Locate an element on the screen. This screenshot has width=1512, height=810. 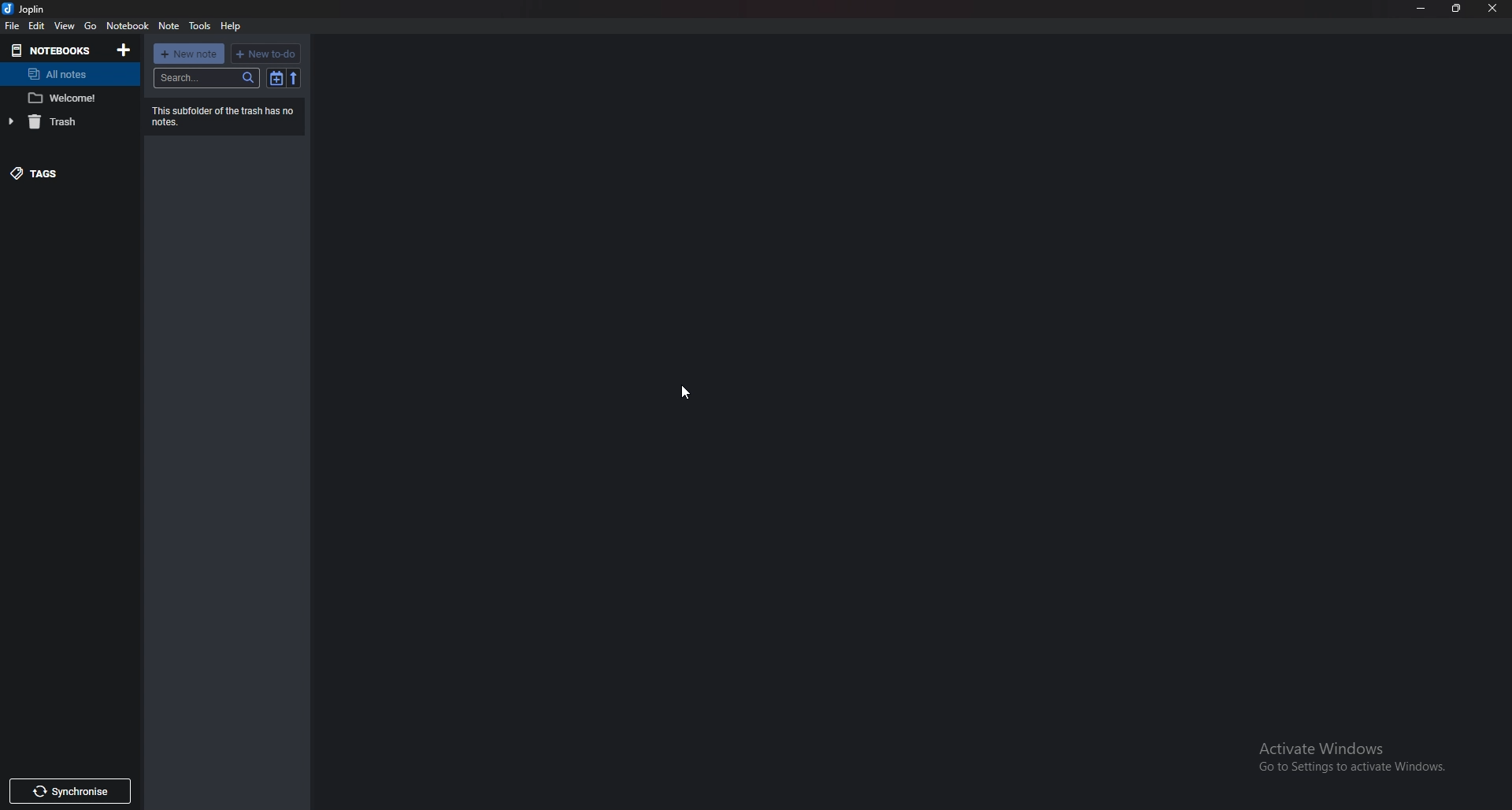
All notes is located at coordinates (64, 73).